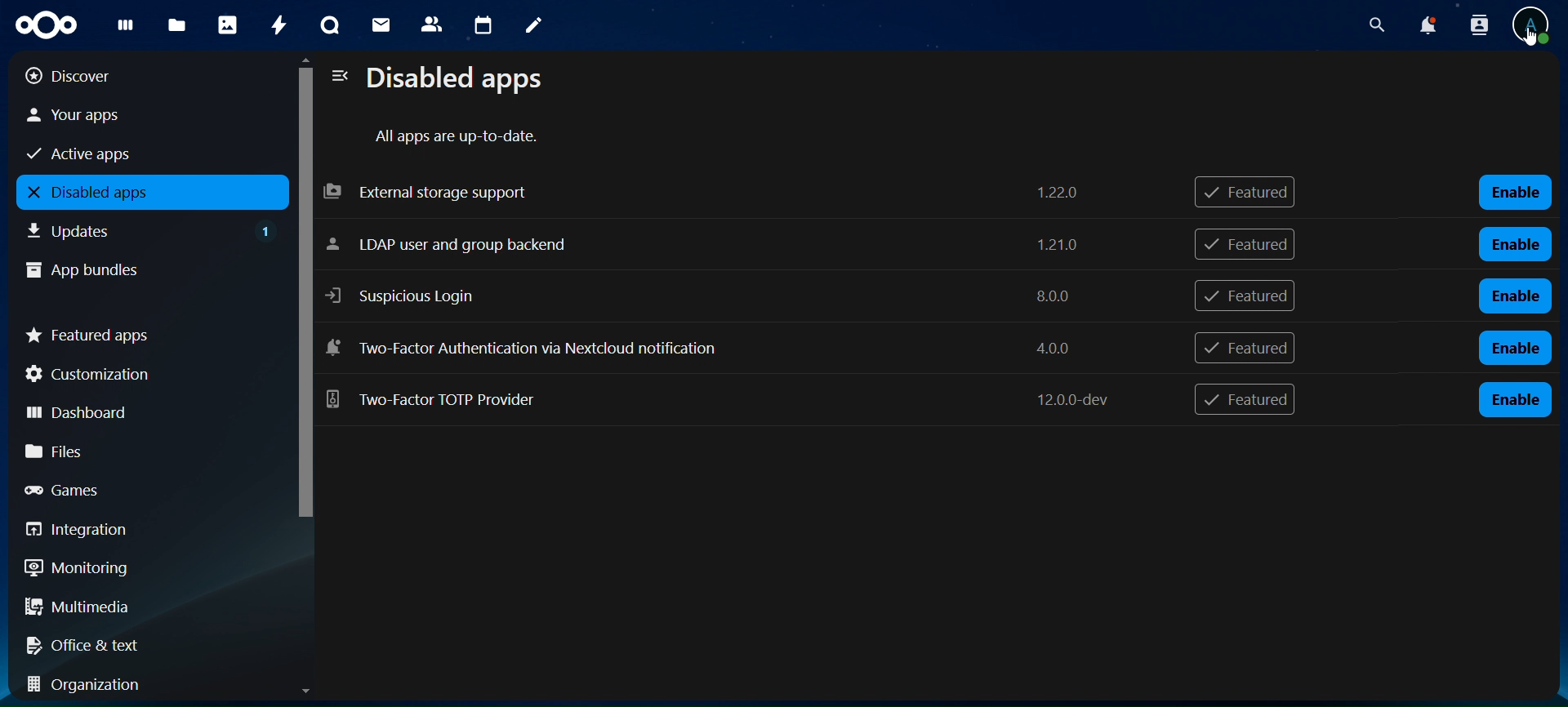 This screenshot has width=1568, height=707. I want to click on multimedia, so click(145, 610).